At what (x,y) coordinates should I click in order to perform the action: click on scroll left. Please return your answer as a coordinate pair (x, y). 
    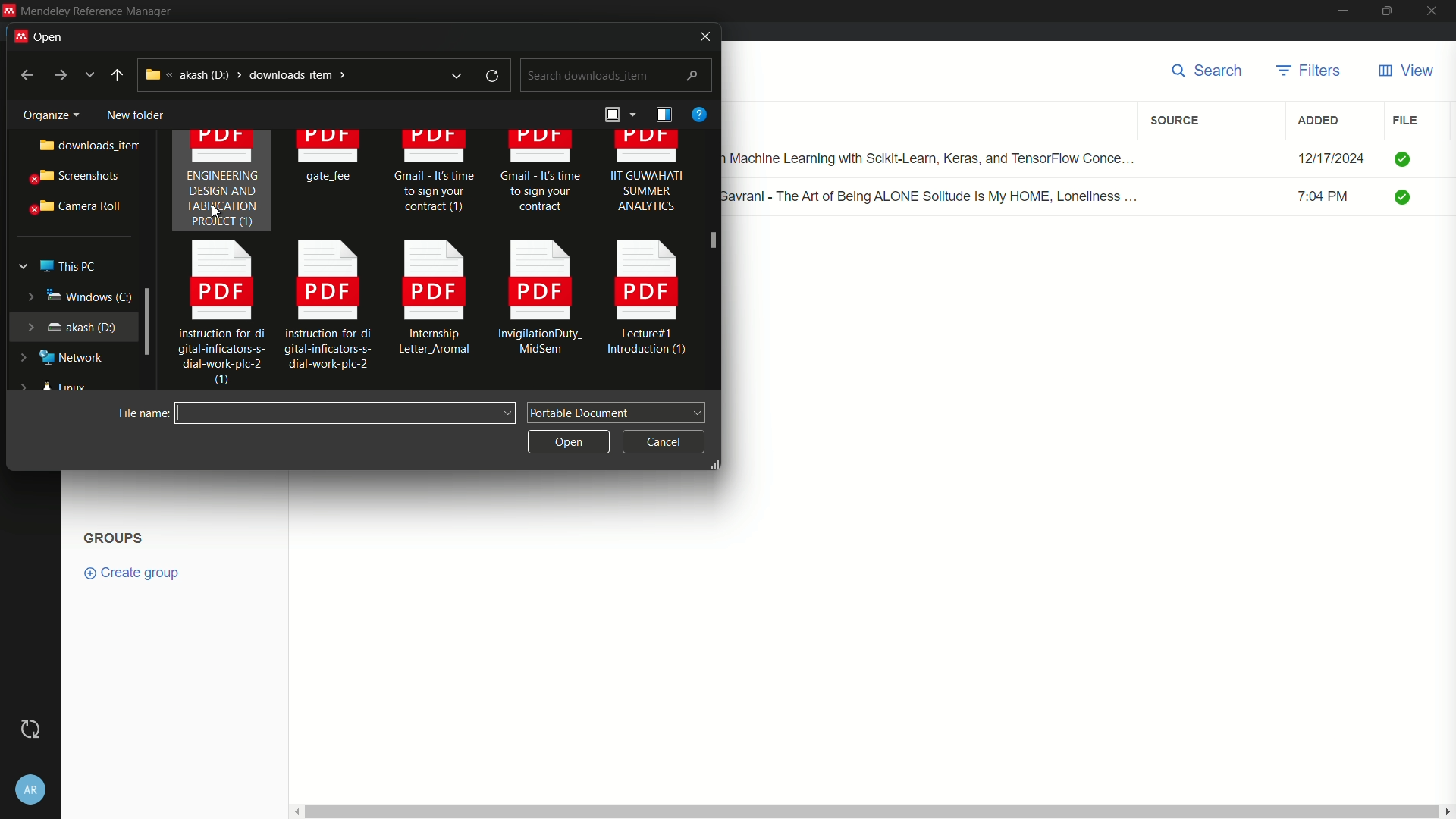
    Looking at the image, I should click on (294, 811).